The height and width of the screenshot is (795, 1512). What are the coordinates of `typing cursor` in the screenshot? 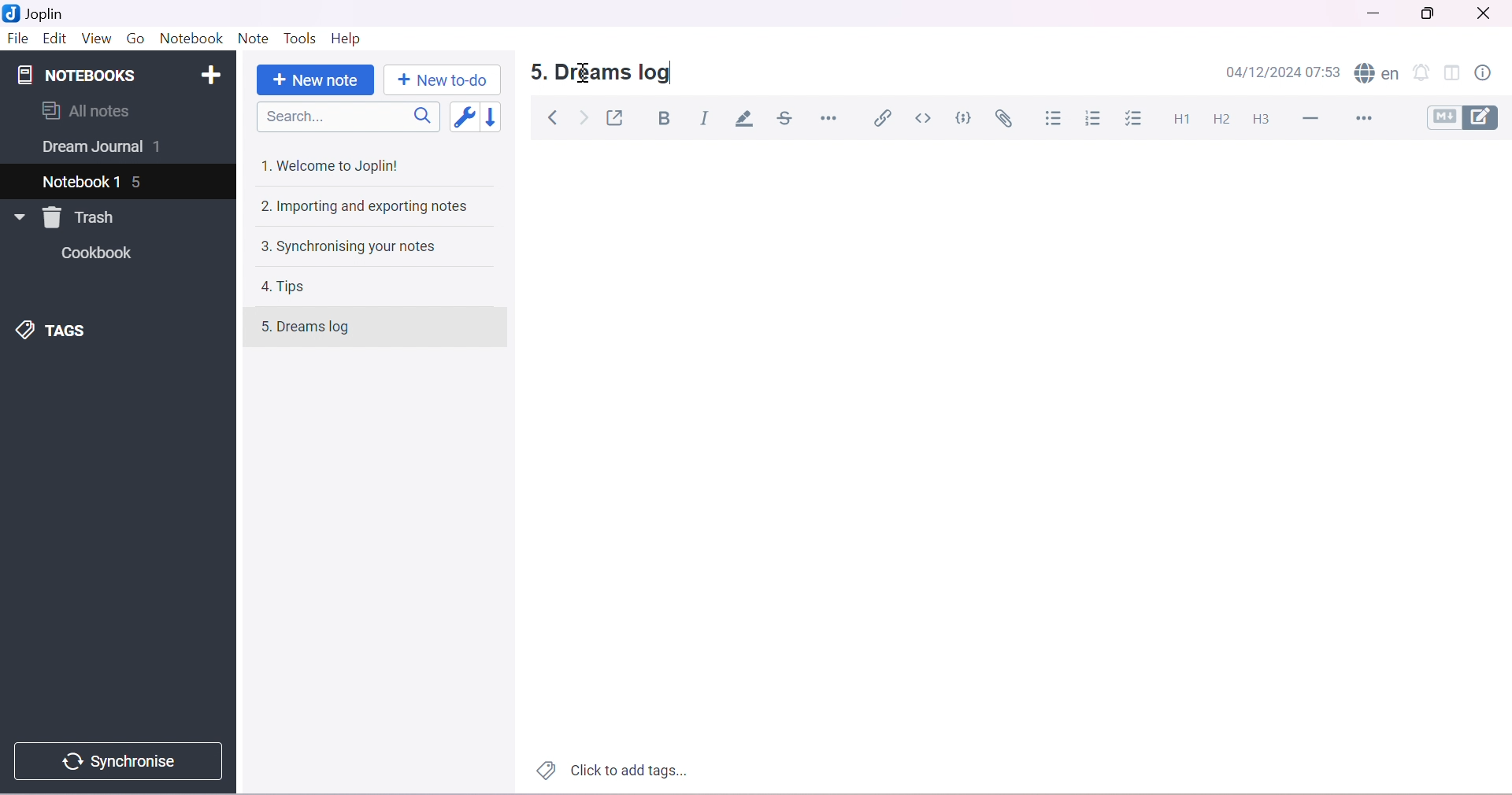 It's located at (669, 75).